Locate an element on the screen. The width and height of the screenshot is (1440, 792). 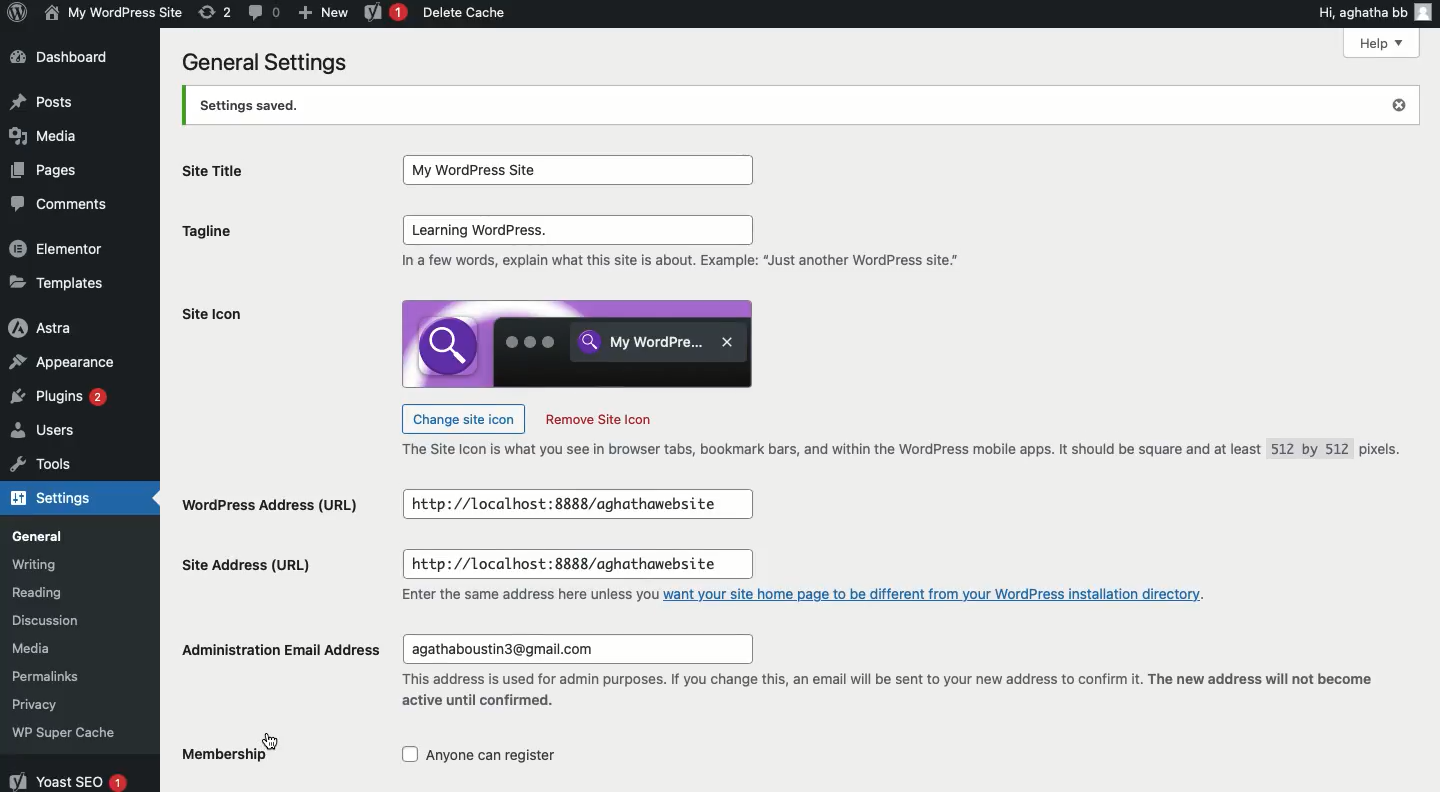
 http: //localhost :8888/aghathawebsite  is located at coordinates (587, 504).